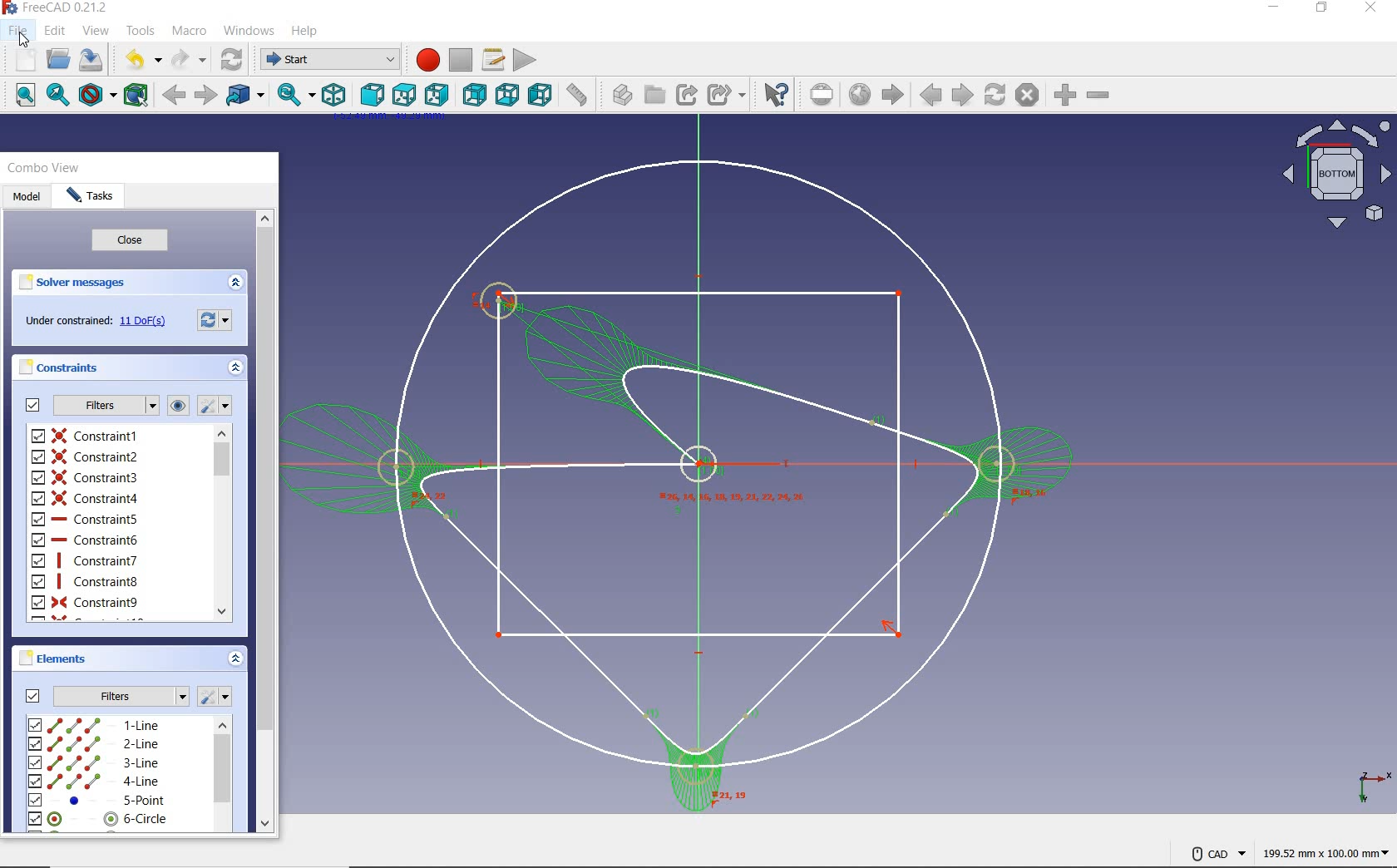 Image resolution: width=1397 pixels, height=868 pixels. Describe the element at coordinates (94, 782) in the screenshot. I see `4-line` at that location.